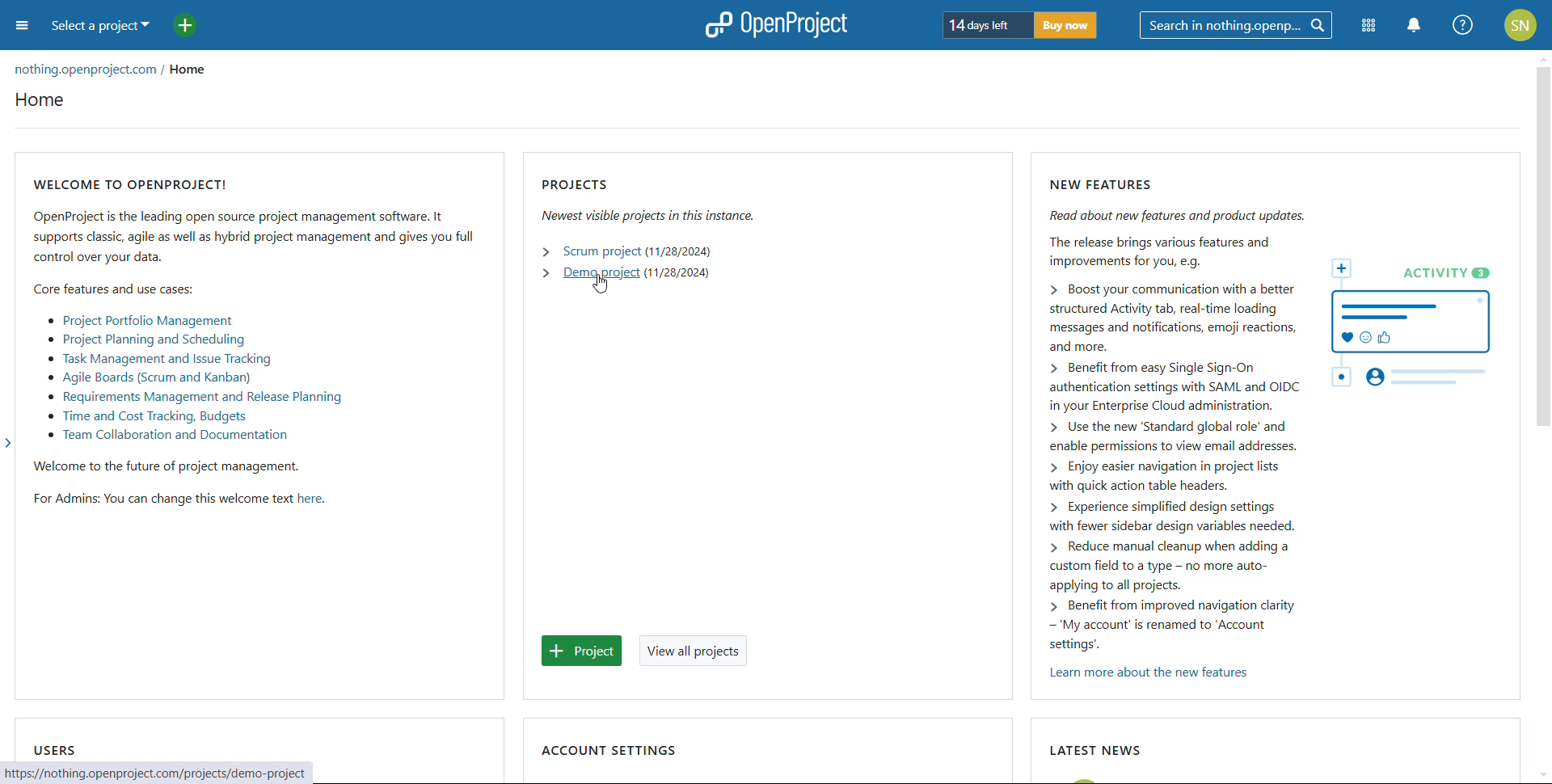 The width and height of the screenshot is (1552, 784). I want to click on open sidebar menu, so click(22, 27).